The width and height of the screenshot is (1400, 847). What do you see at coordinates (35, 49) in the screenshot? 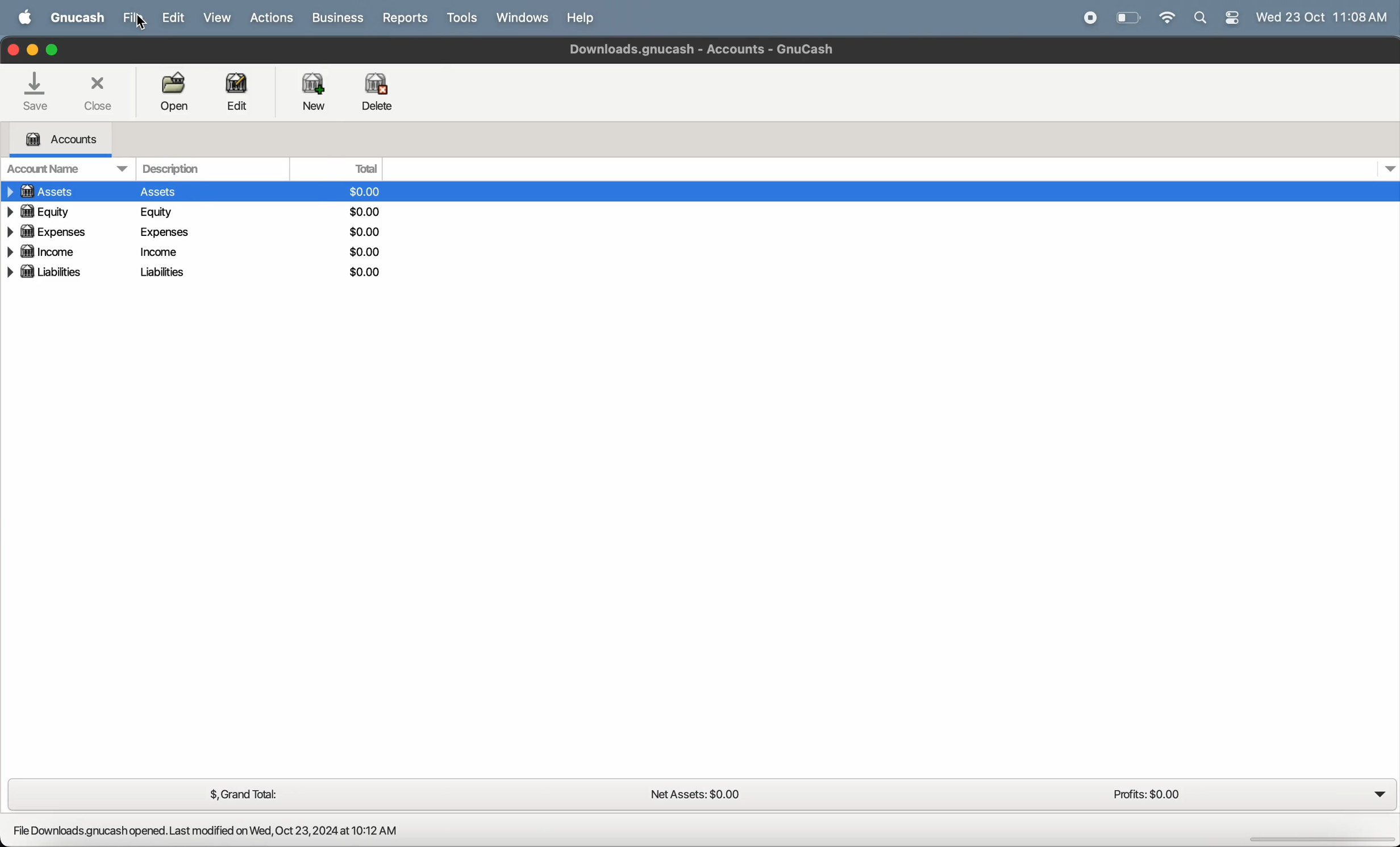
I see `minimize` at bounding box center [35, 49].